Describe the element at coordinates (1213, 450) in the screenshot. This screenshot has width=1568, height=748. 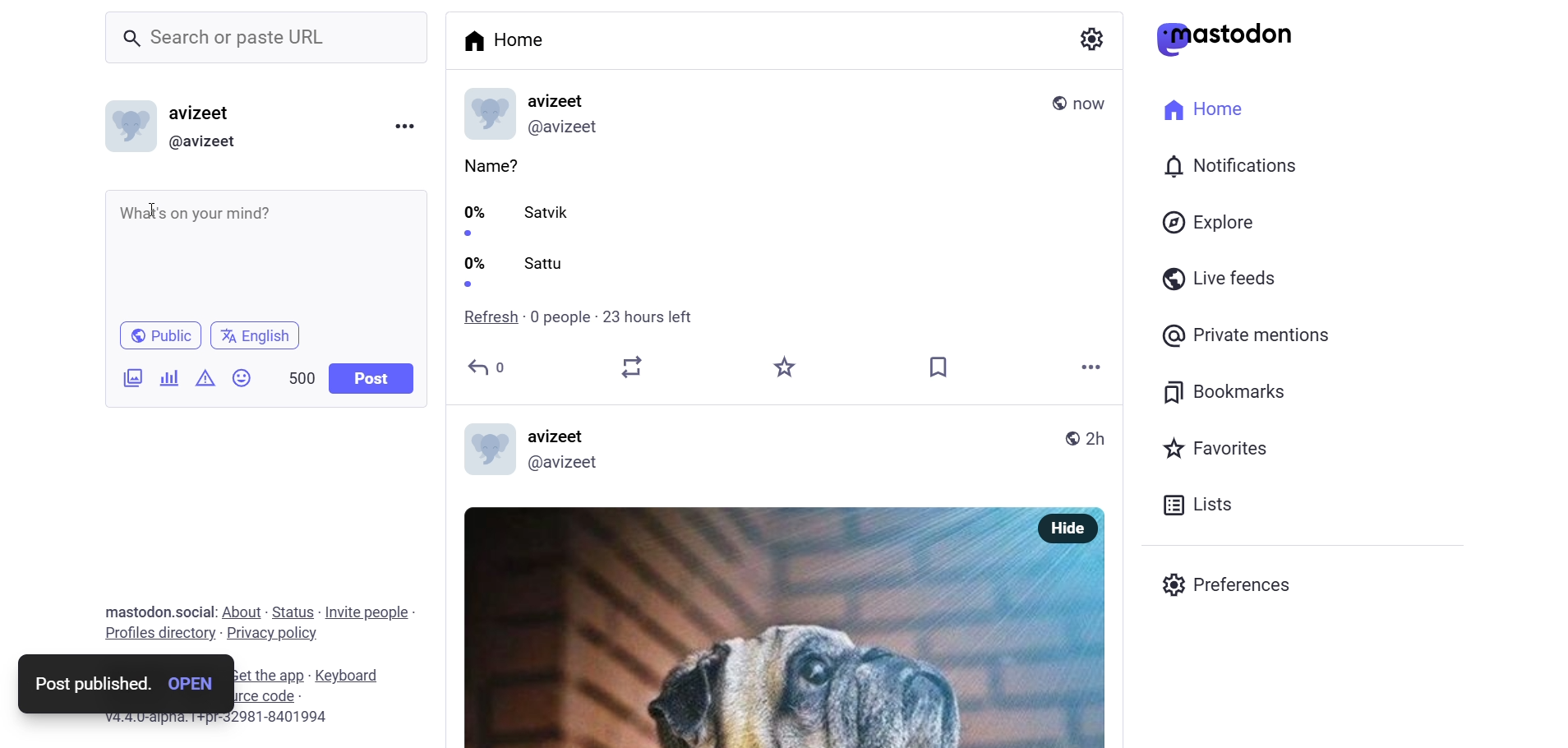
I see `favorite` at that location.